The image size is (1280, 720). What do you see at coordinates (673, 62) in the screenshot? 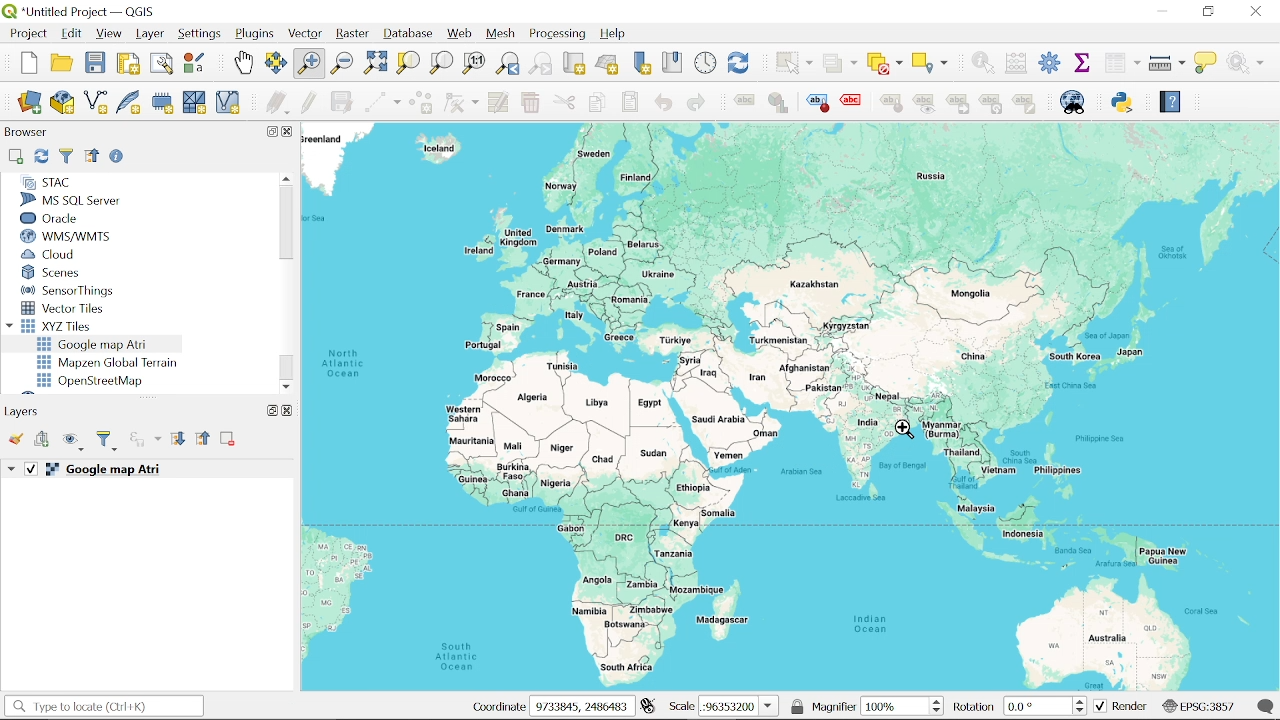
I see `Show special bookmark` at bounding box center [673, 62].